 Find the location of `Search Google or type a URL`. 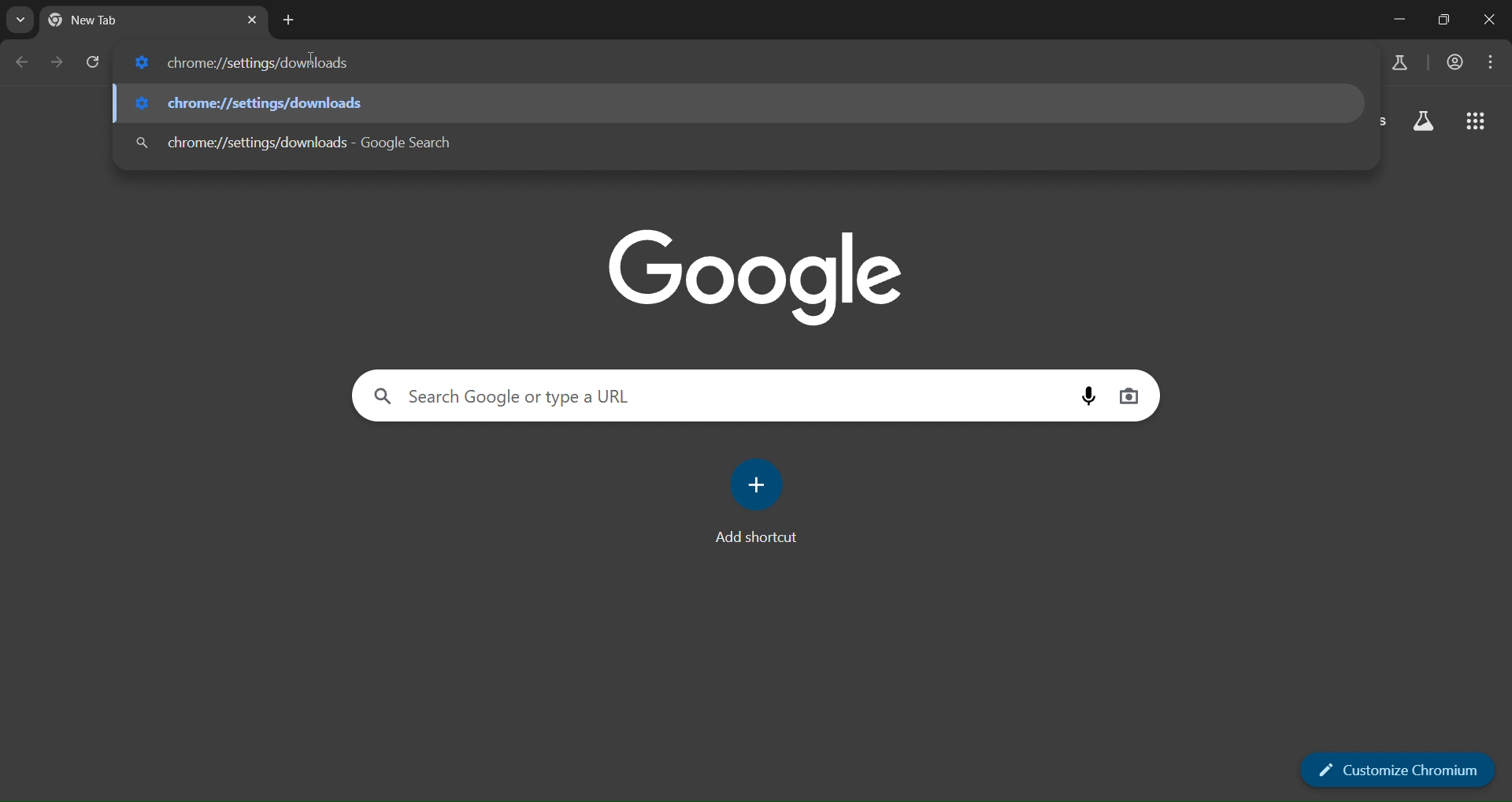

Search Google or type a URL is located at coordinates (498, 395).